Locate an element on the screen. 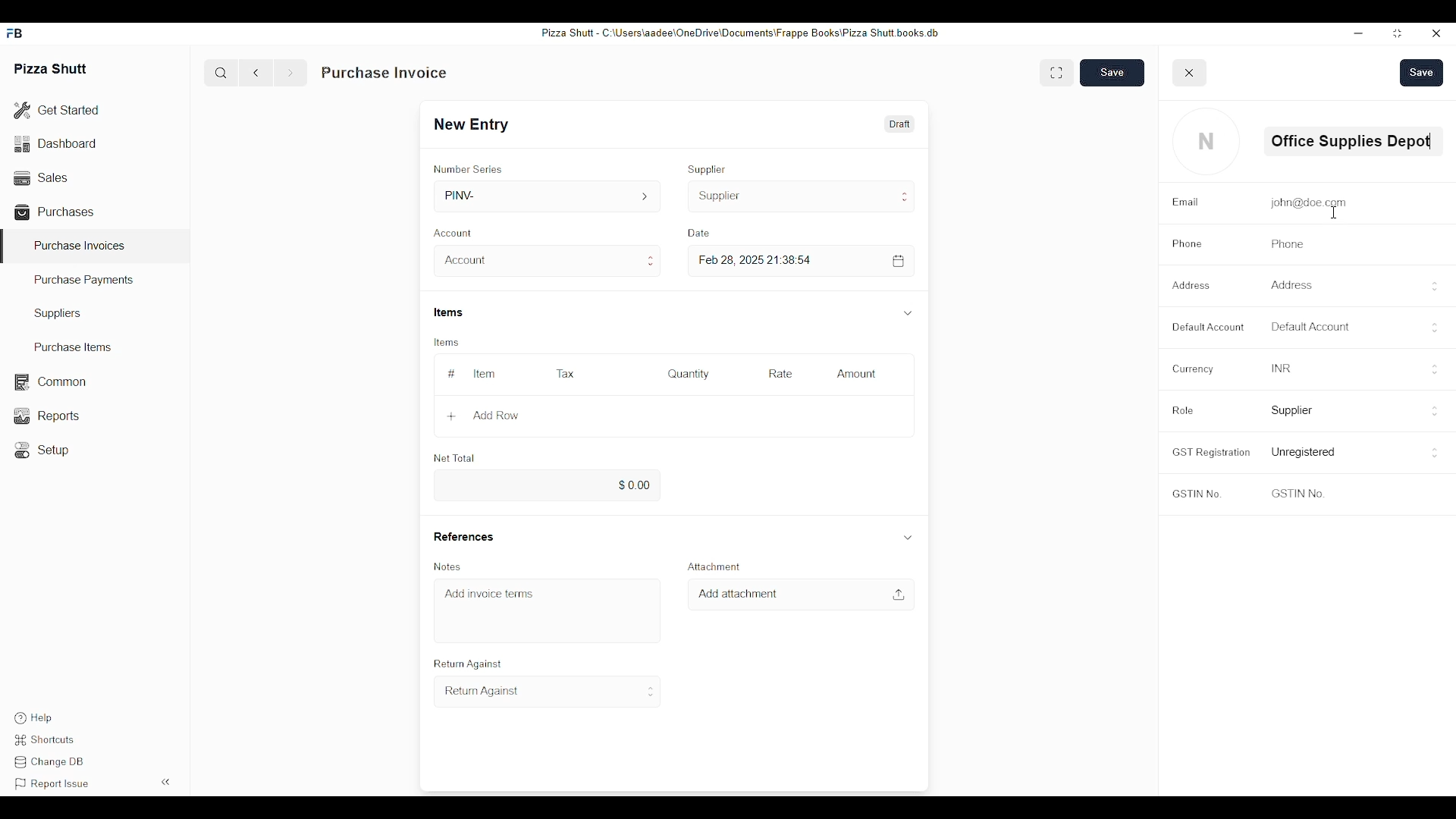 The height and width of the screenshot is (819, 1456). john@doe.com is located at coordinates (1306, 202).